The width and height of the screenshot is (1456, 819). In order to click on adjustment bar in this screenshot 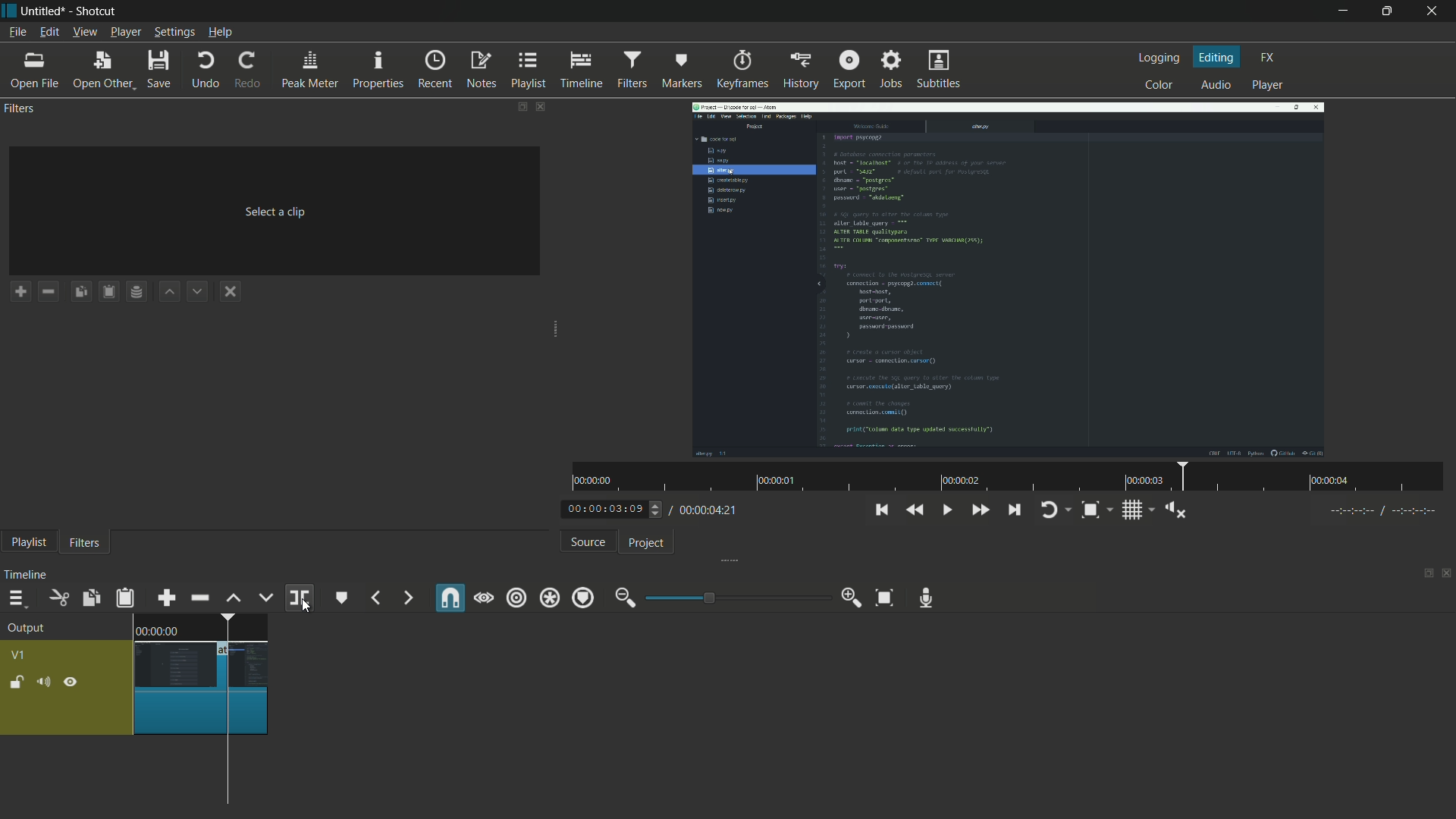, I will do `click(736, 598)`.